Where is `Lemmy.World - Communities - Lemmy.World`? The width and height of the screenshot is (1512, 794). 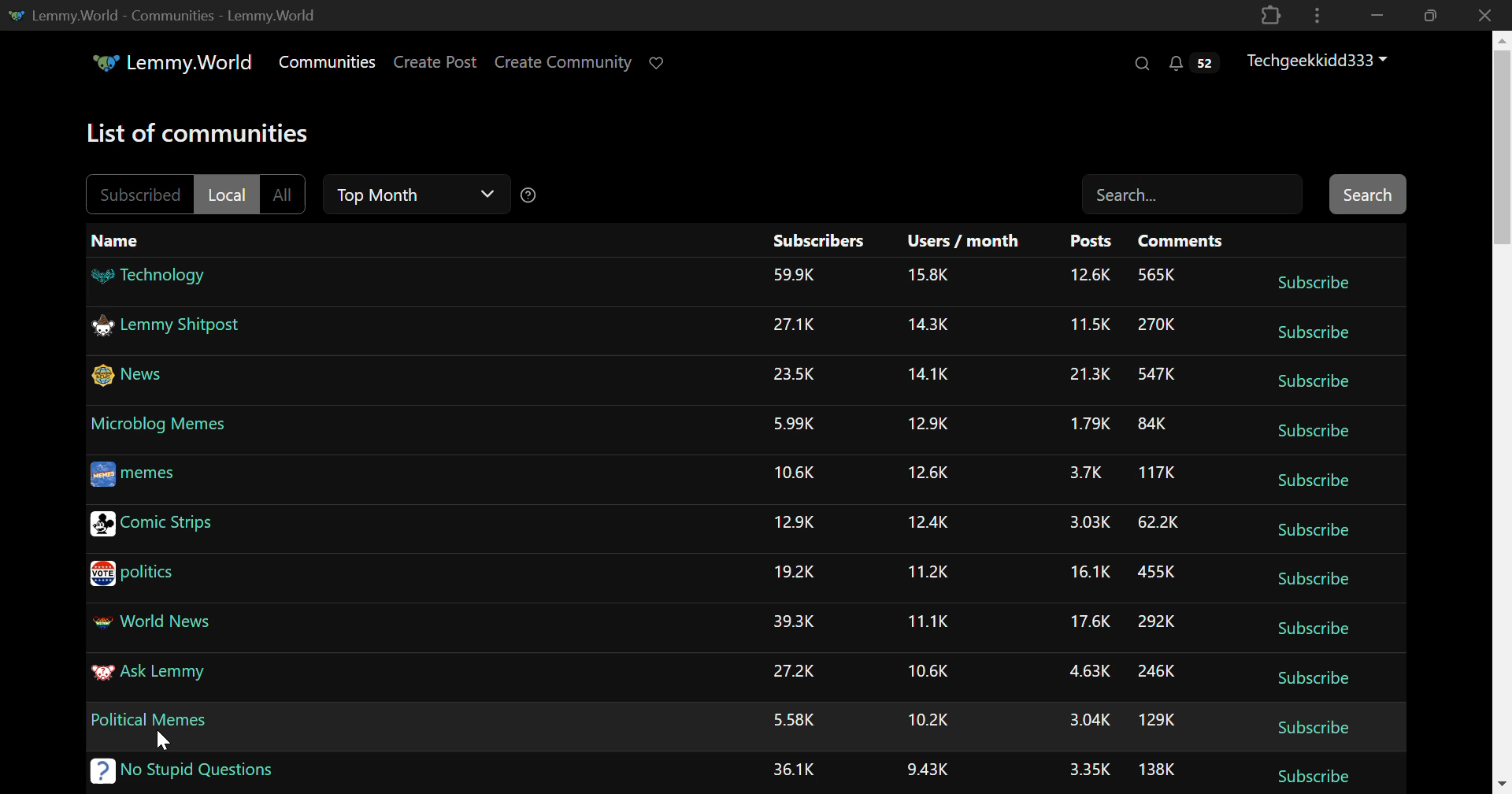
Lemmy.World - Communities - Lemmy.World is located at coordinates (162, 15).